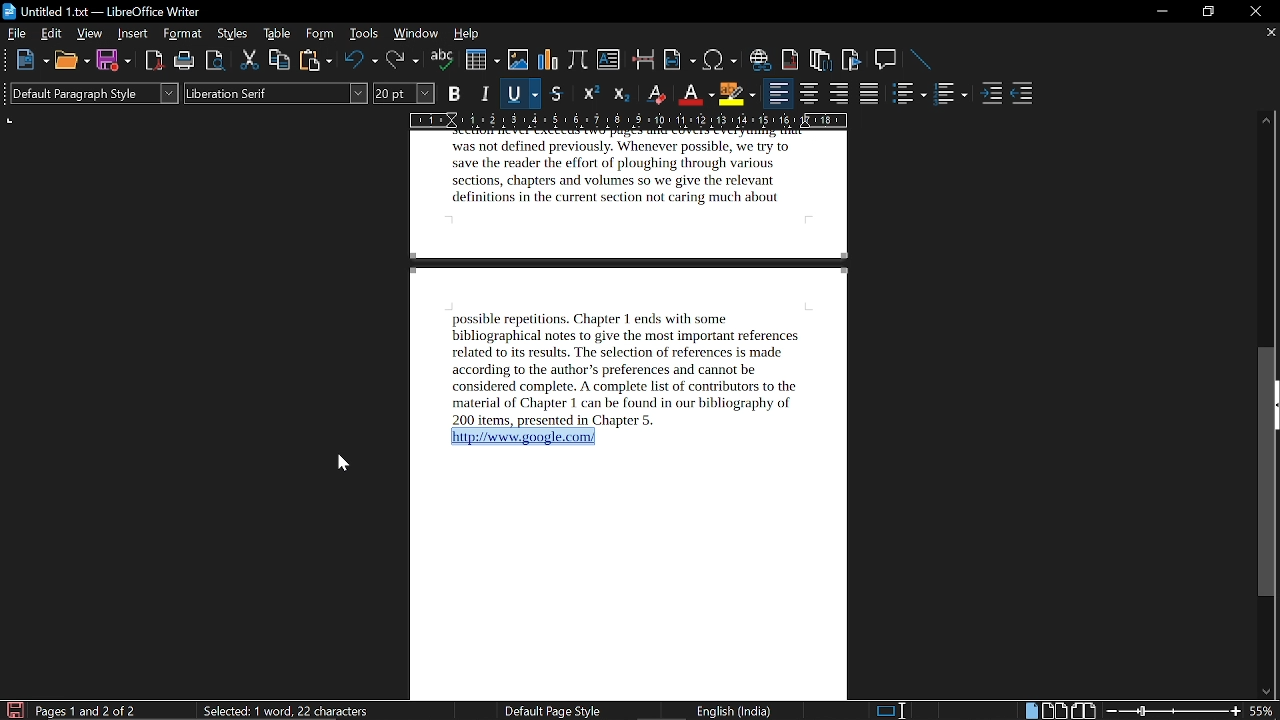  What do you see at coordinates (522, 93) in the screenshot?
I see `underline` at bounding box center [522, 93].